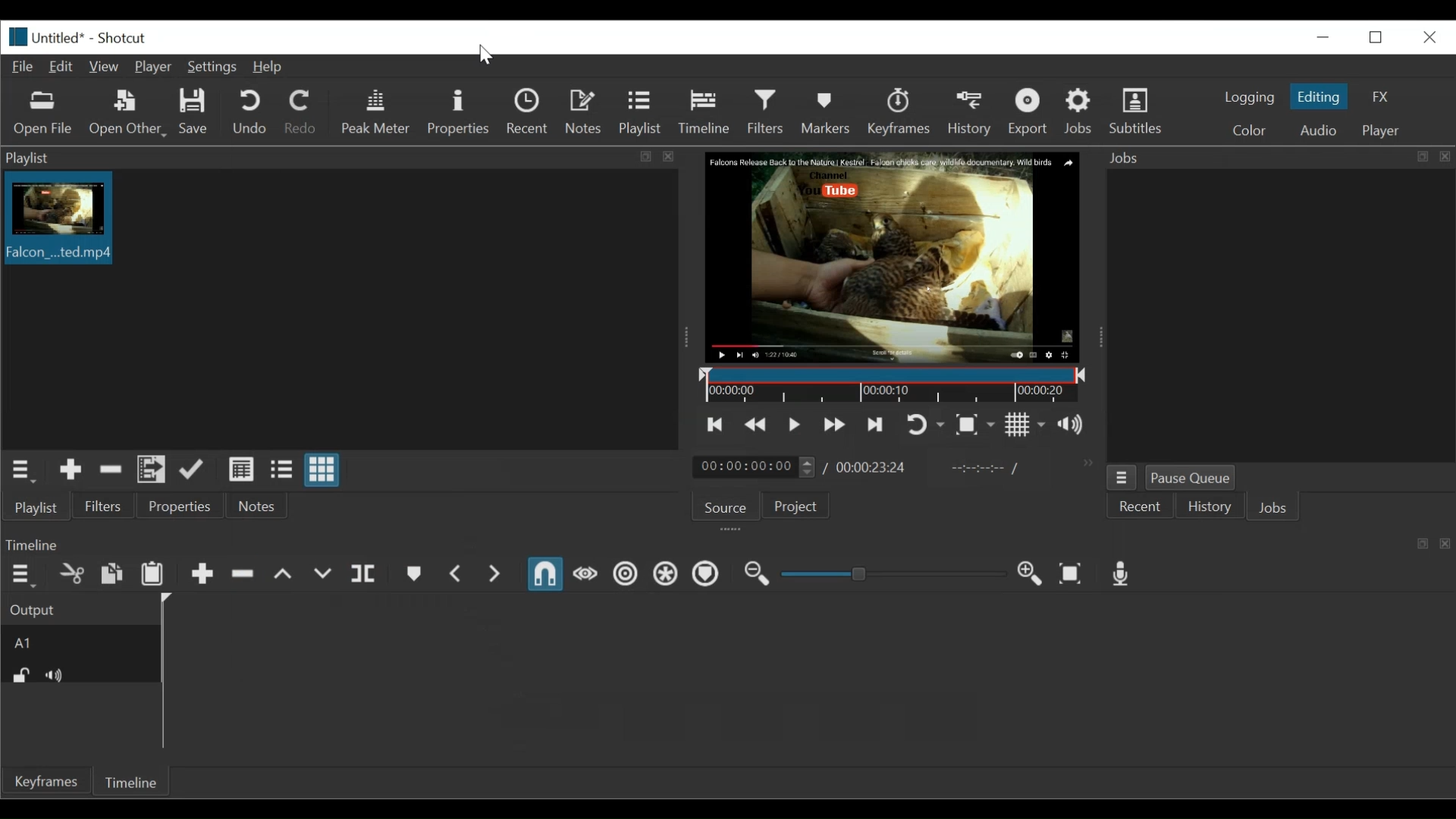 This screenshot has width=1456, height=819. Describe the element at coordinates (498, 576) in the screenshot. I see `Next marker` at that location.